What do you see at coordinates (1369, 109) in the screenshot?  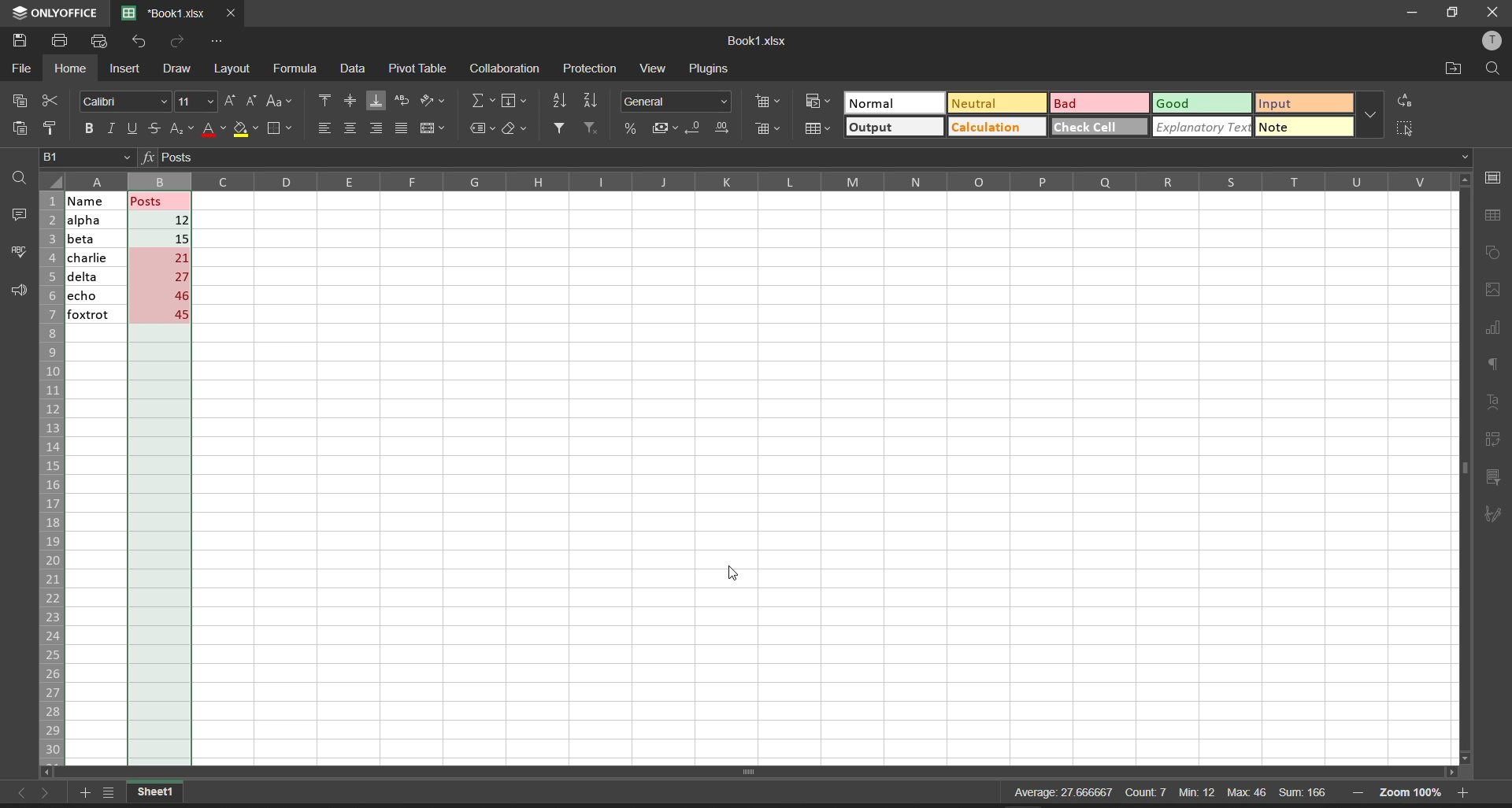 I see `additional quick setting` at bounding box center [1369, 109].